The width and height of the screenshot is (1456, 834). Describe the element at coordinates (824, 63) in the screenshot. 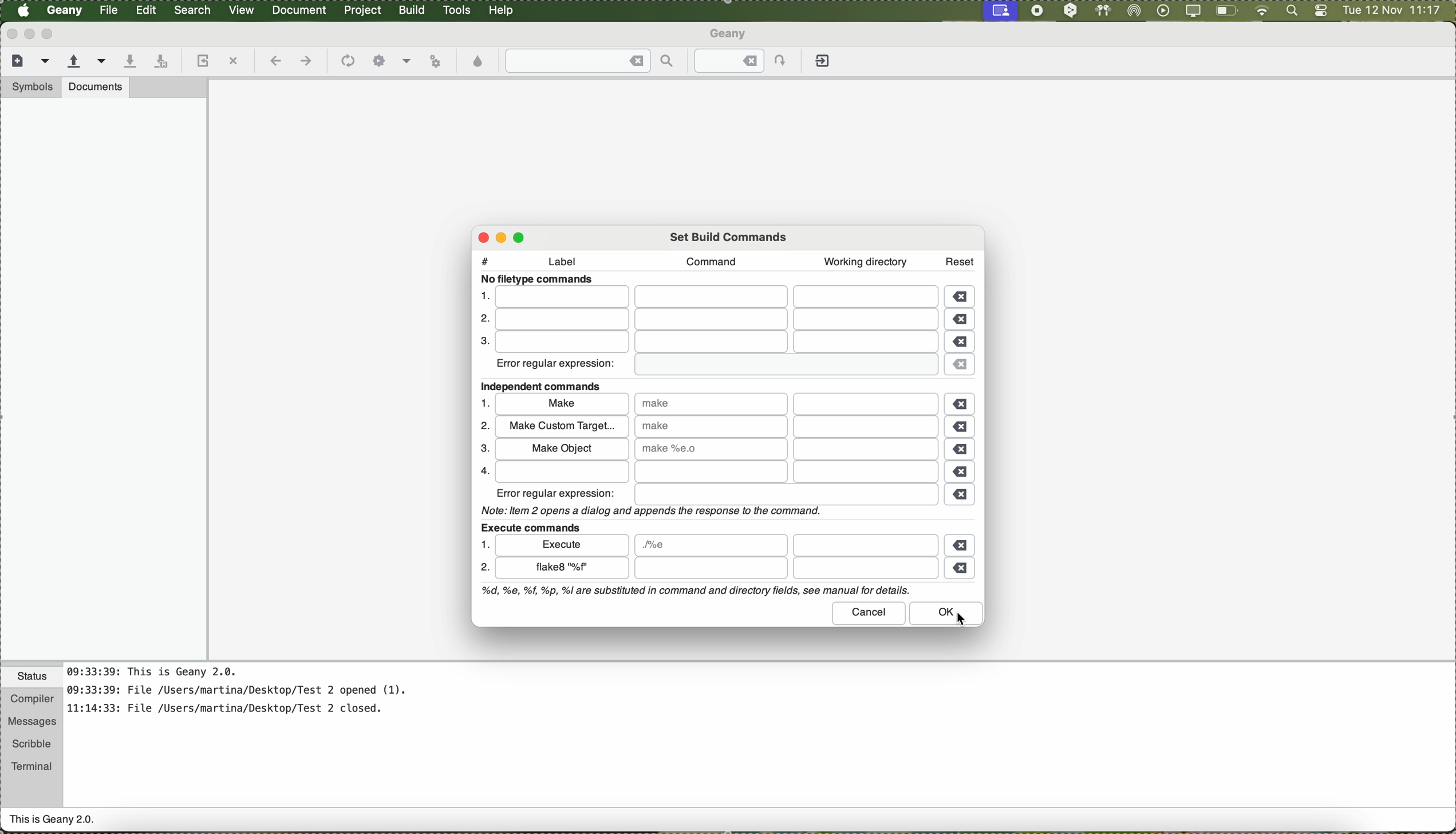

I see `quit Geany` at that location.